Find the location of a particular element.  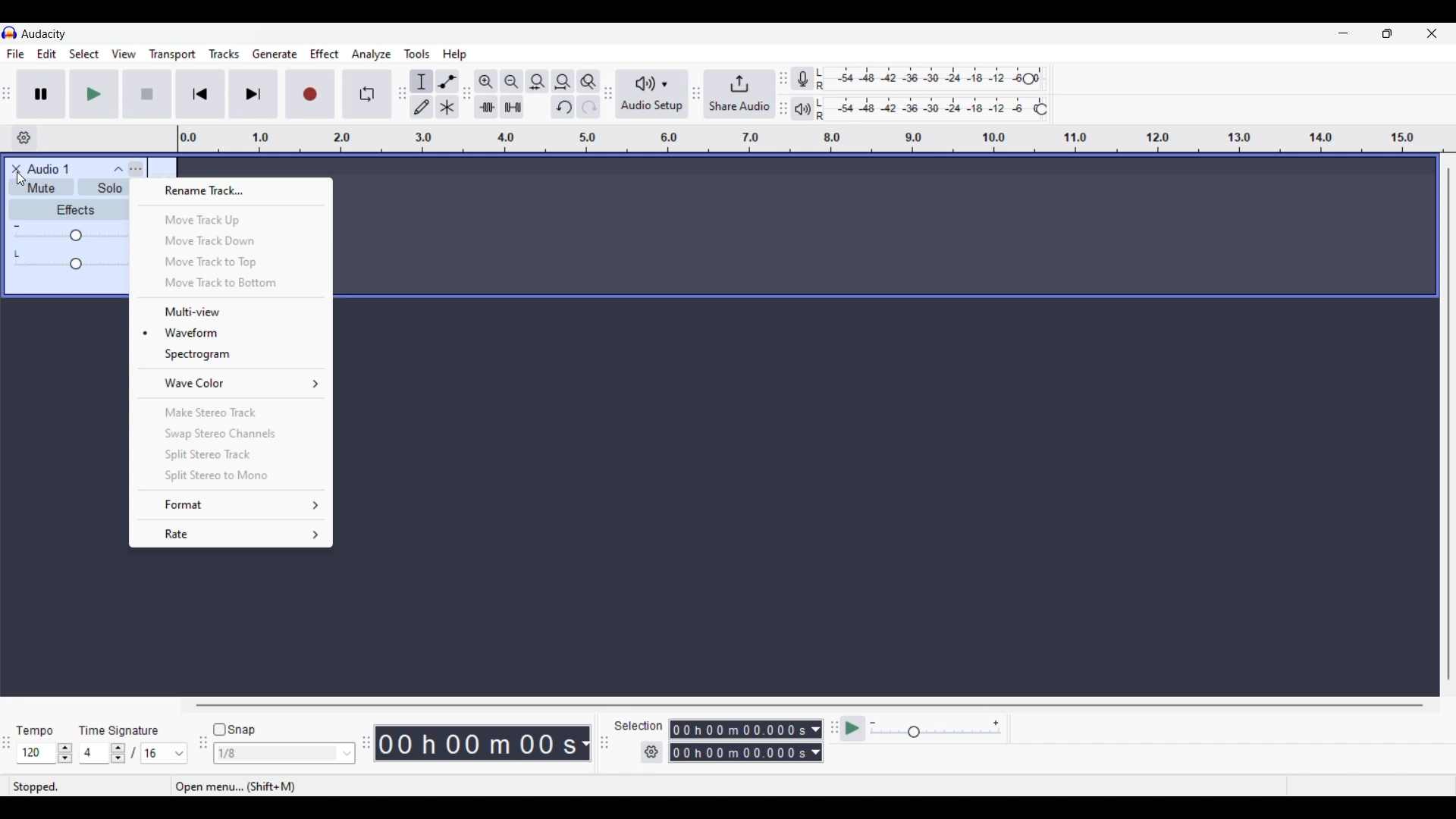

Select menu is located at coordinates (84, 55).